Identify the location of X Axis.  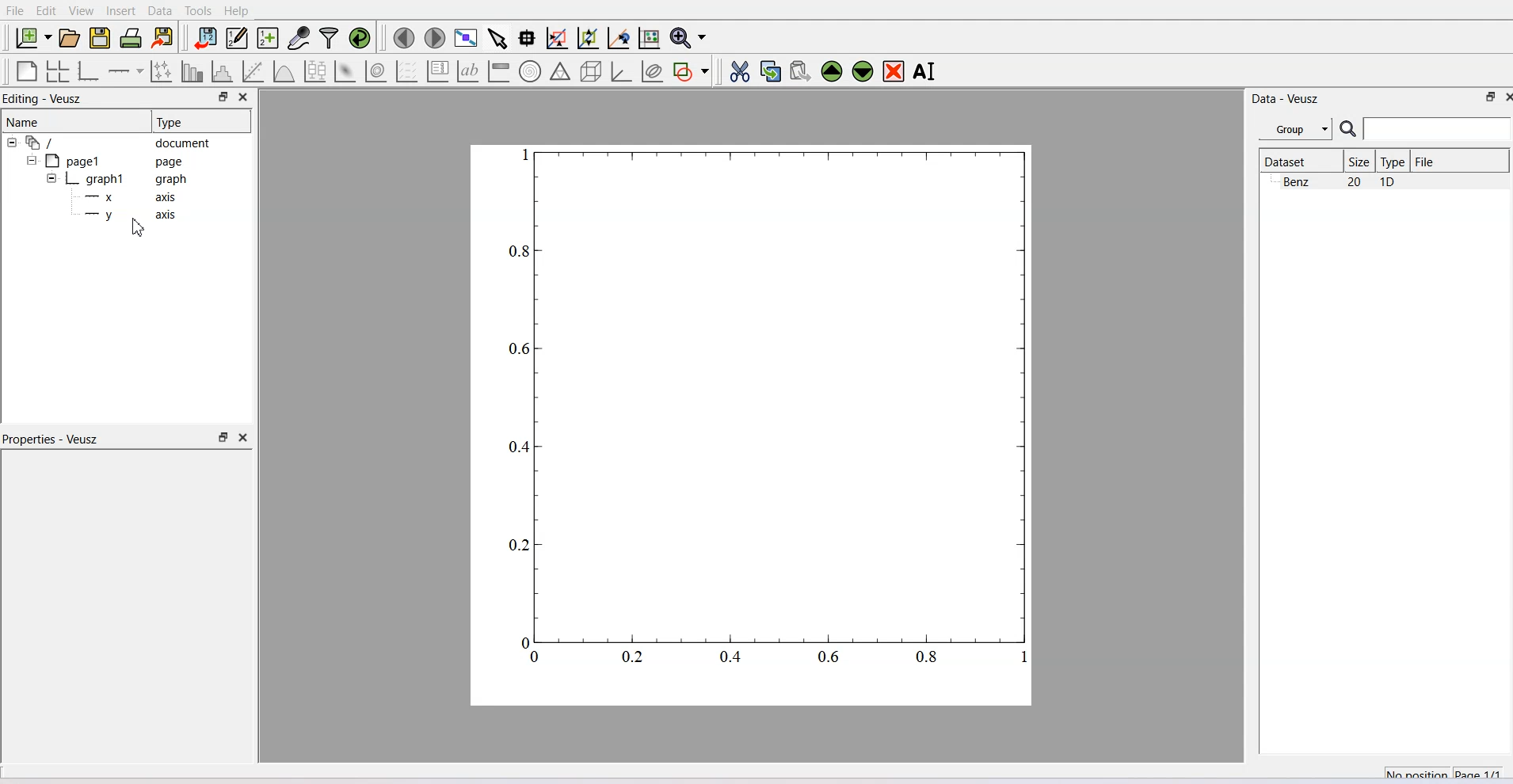
(135, 197).